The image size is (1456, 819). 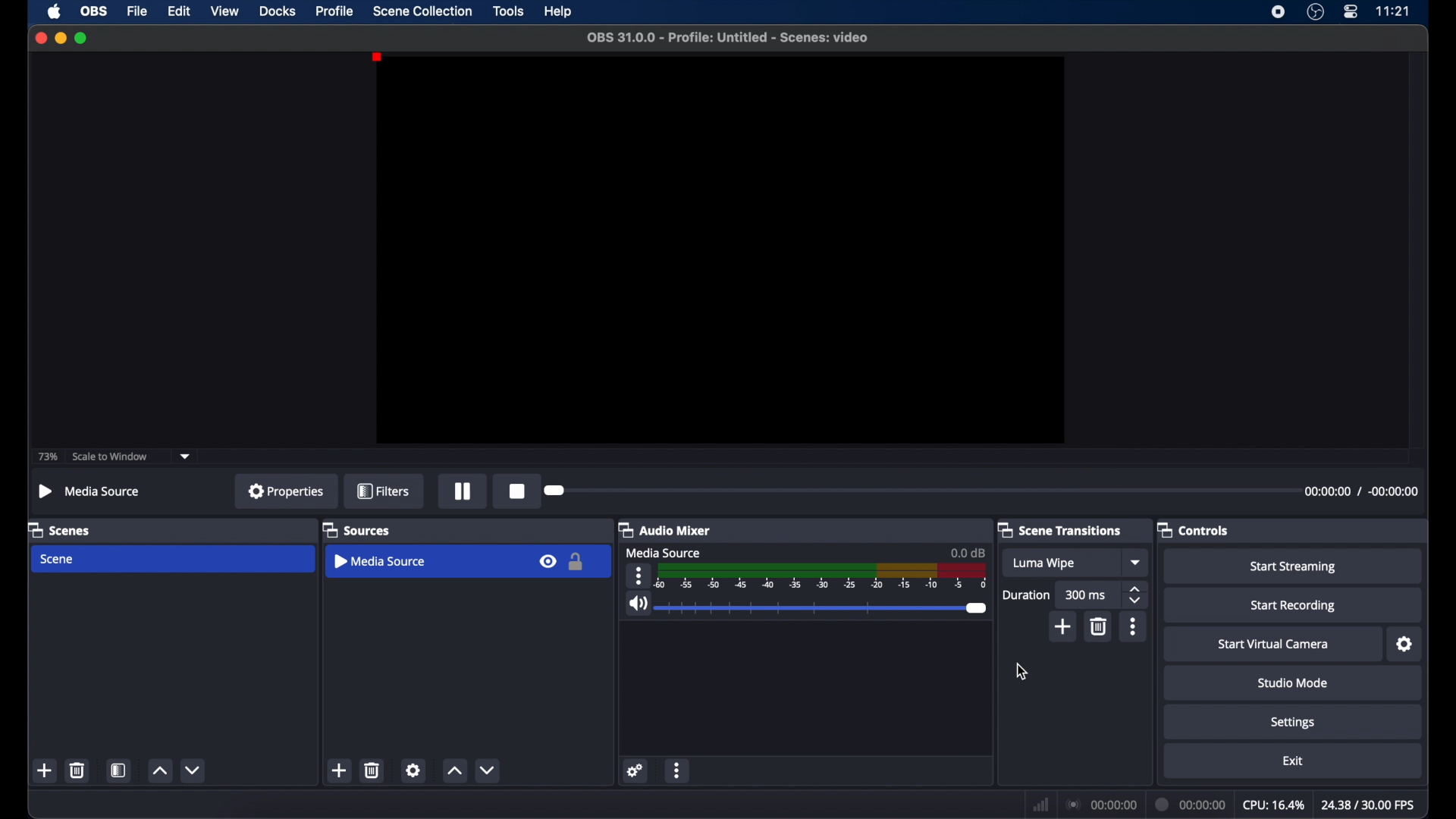 What do you see at coordinates (824, 578) in the screenshot?
I see `timeline` at bounding box center [824, 578].